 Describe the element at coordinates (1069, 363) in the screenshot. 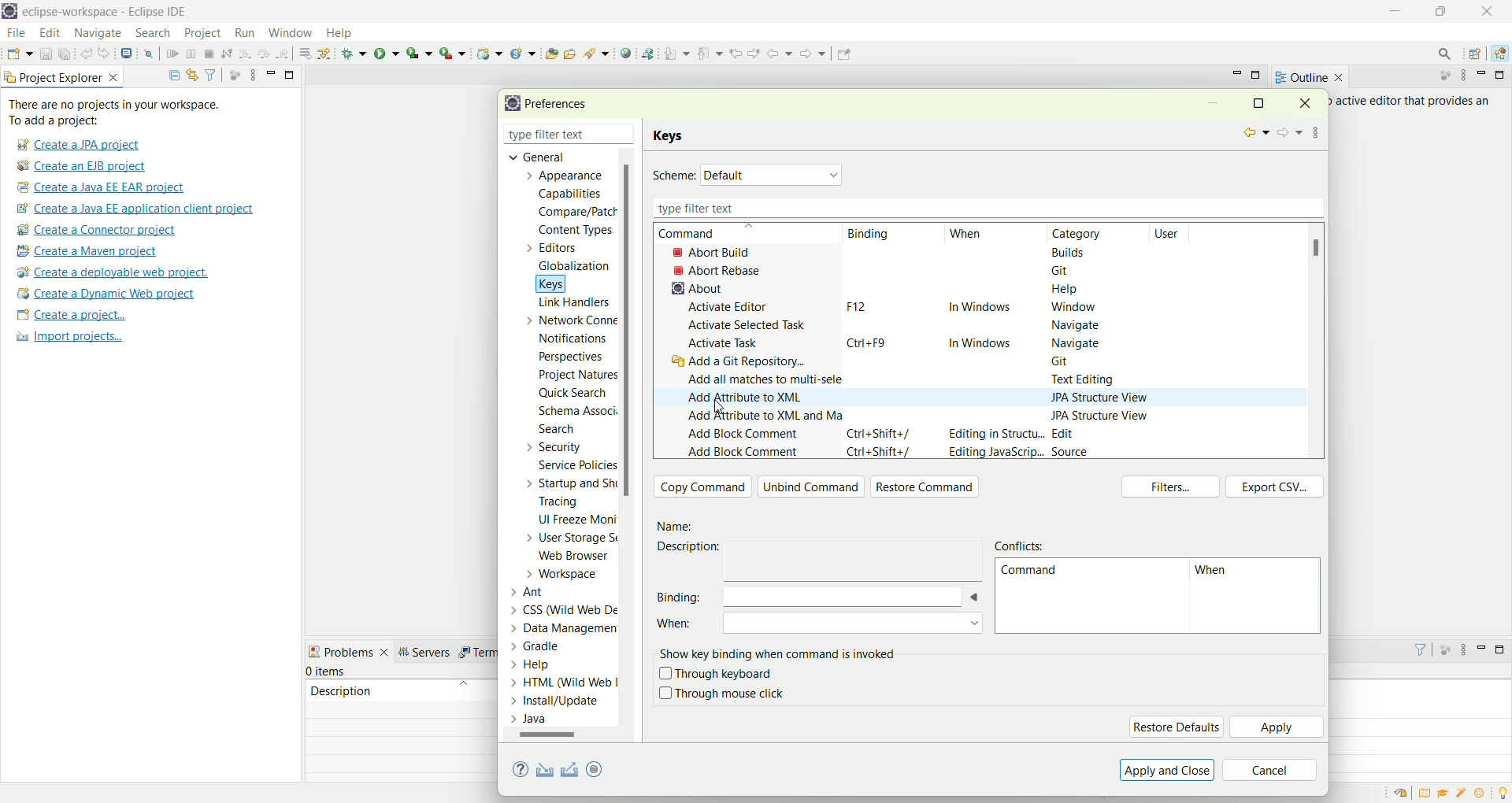

I see `Git` at that location.